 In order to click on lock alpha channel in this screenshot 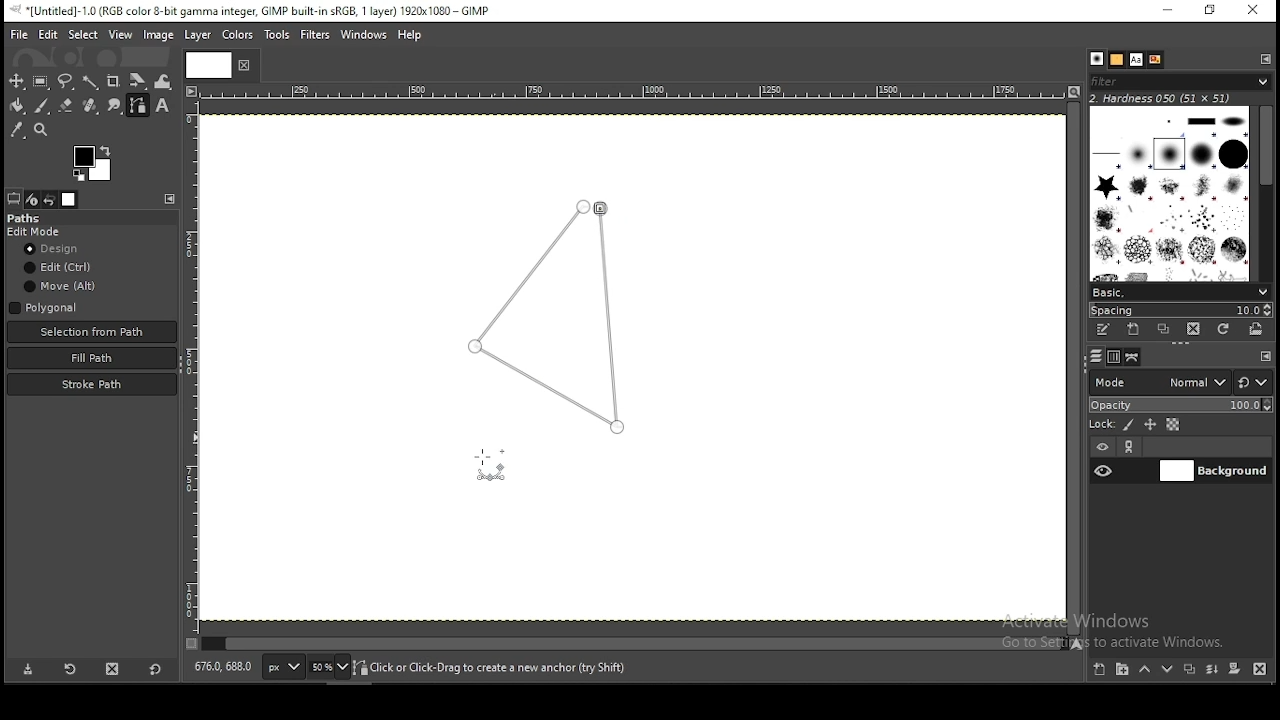, I will do `click(1174, 424)`.